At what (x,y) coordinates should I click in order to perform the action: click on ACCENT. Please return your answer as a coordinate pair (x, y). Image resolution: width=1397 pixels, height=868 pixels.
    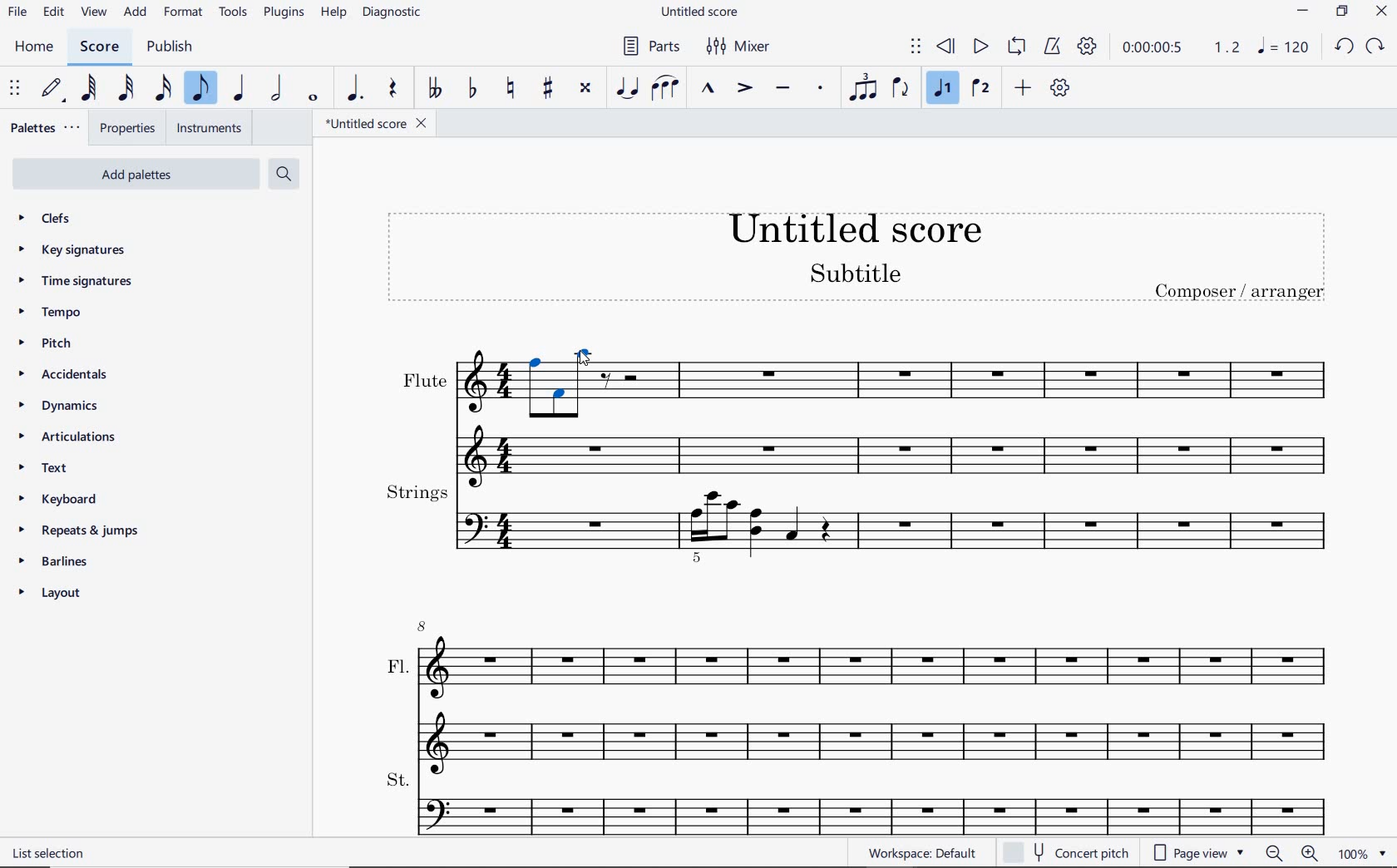
    Looking at the image, I should click on (744, 89).